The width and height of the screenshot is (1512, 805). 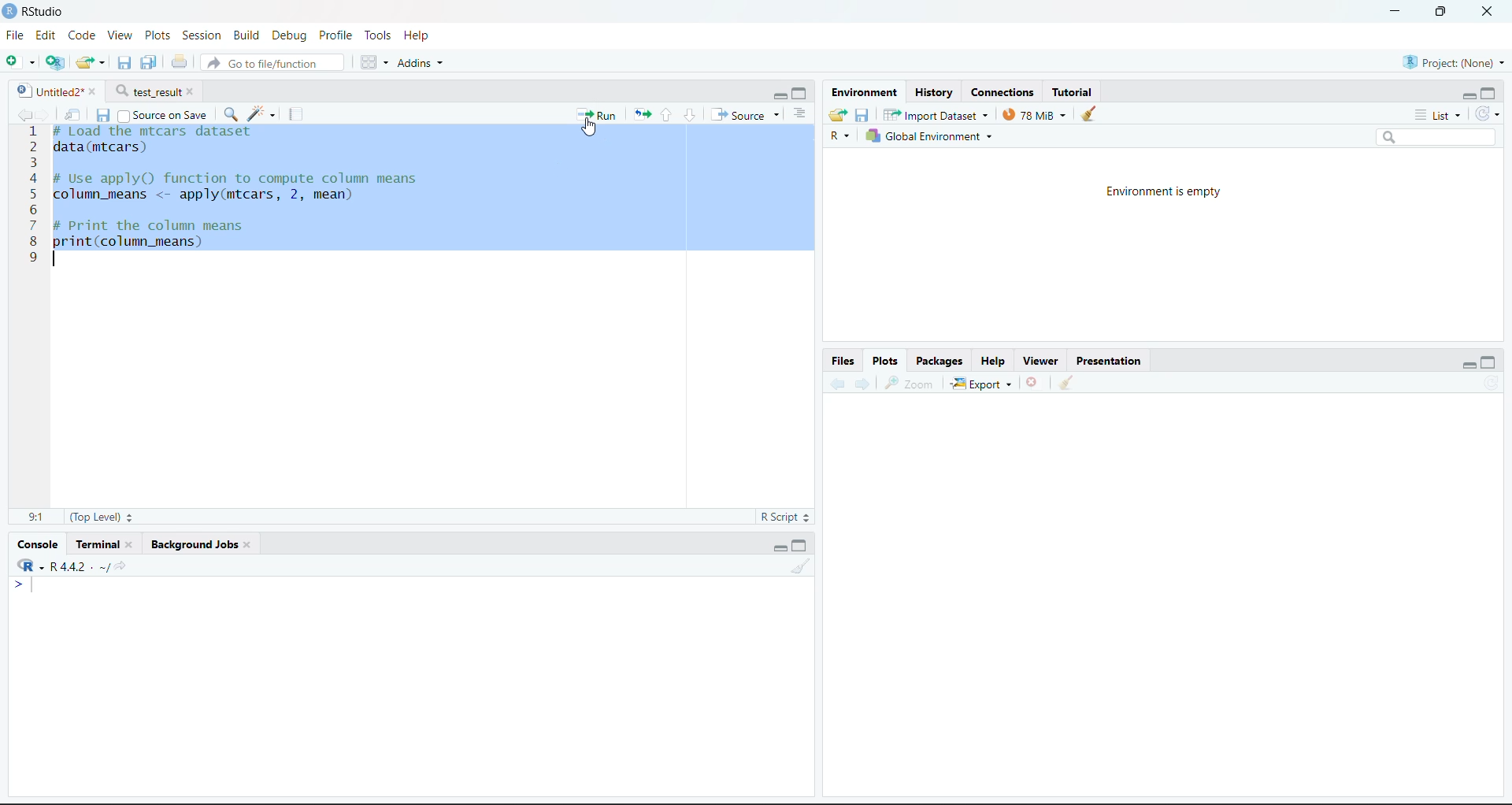 What do you see at coordinates (372, 61) in the screenshot?
I see `Workspace panes` at bounding box center [372, 61].